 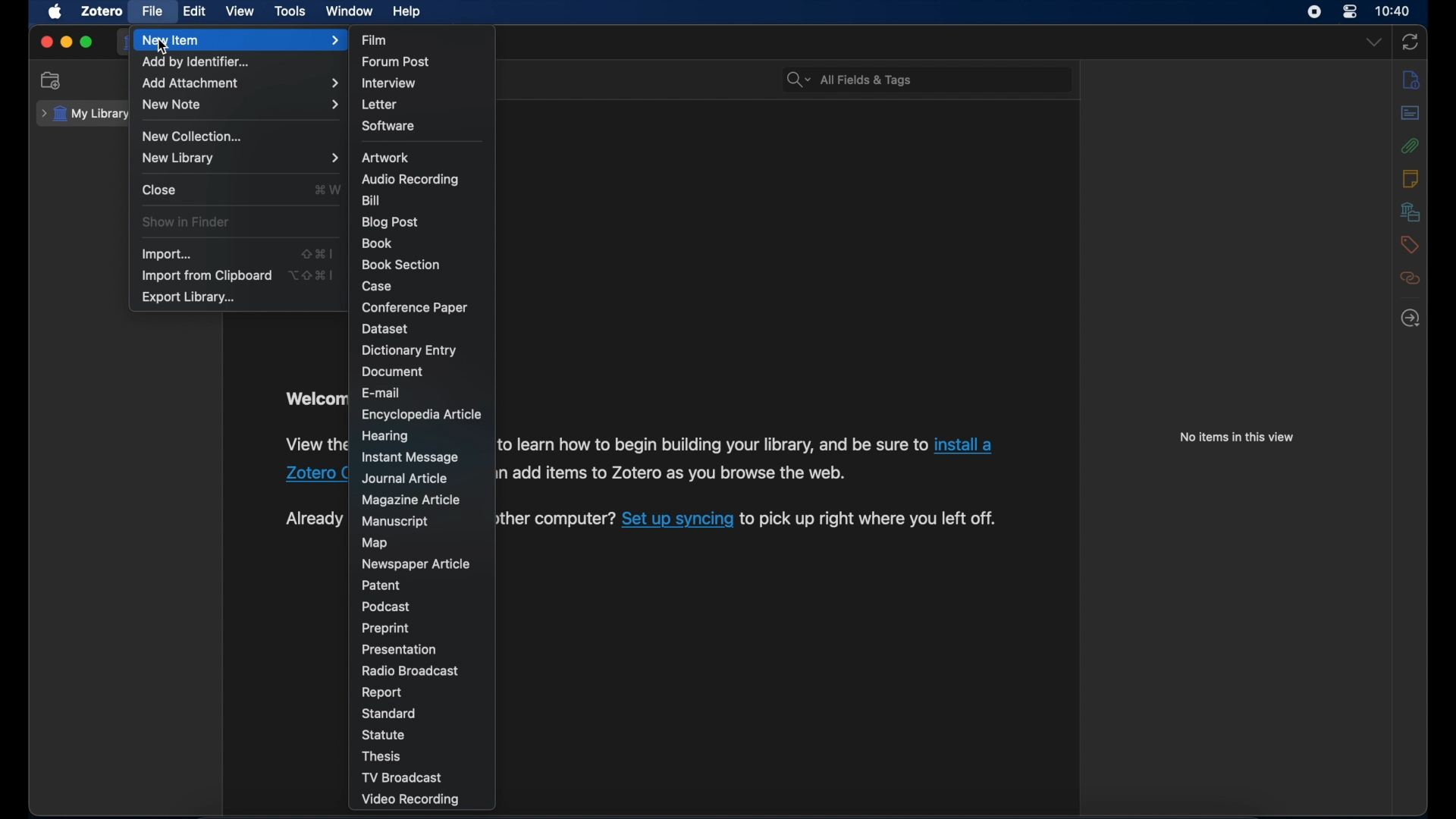 What do you see at coordinates (967, 444) in the screenshot?
I see `install a` at bounding box center [967, 444].